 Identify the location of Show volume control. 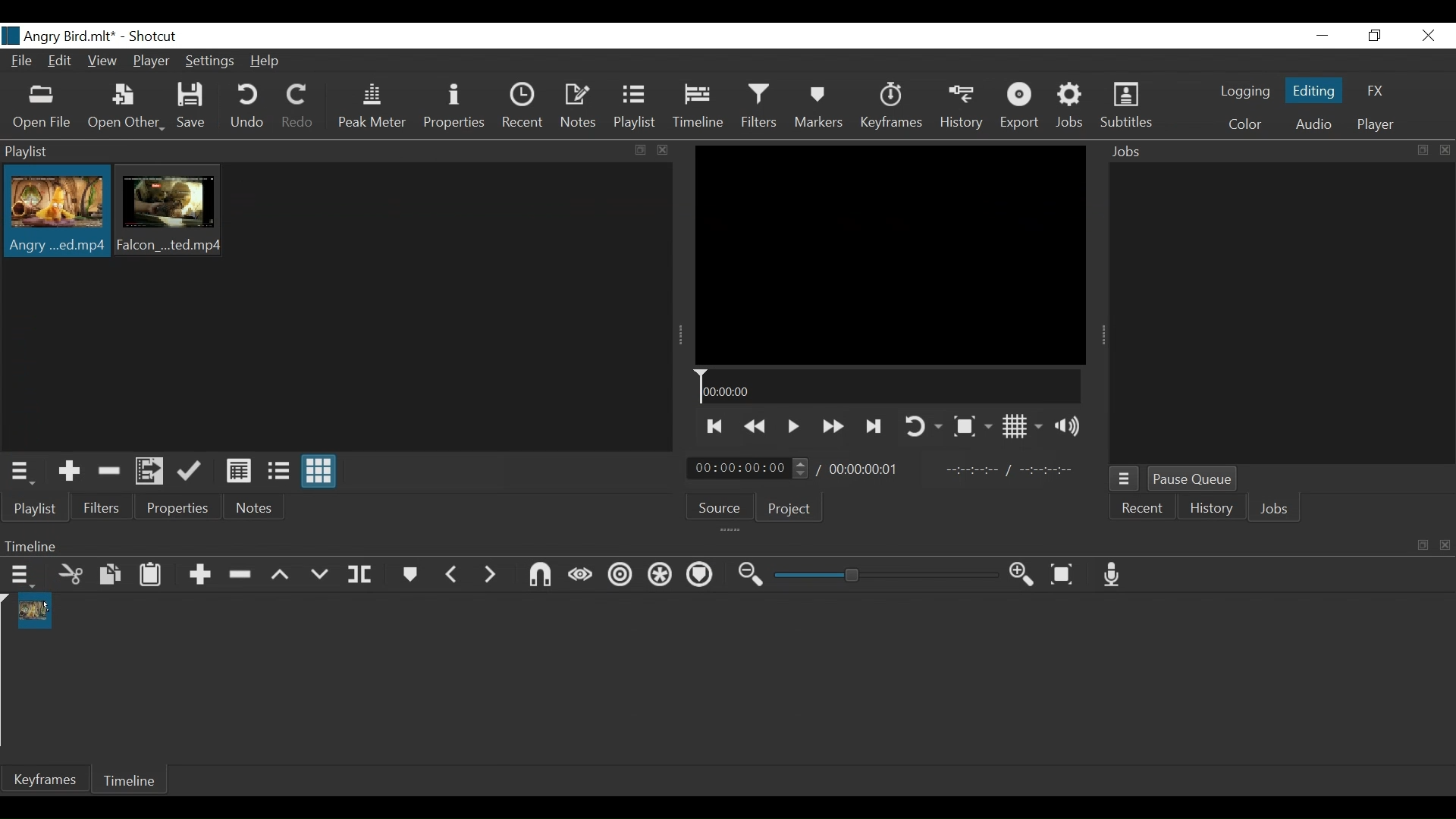
(1071, 425).